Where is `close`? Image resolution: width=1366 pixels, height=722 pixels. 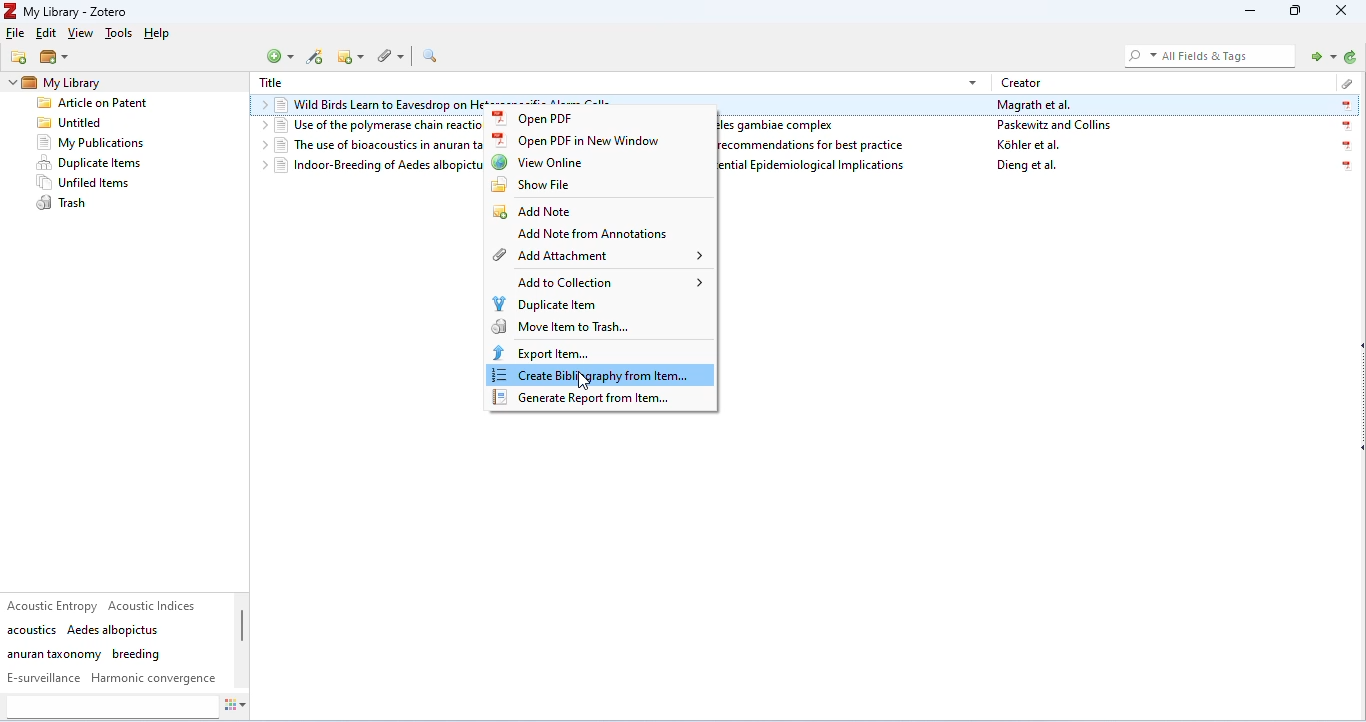
close is located at coordinates (1343, 11).